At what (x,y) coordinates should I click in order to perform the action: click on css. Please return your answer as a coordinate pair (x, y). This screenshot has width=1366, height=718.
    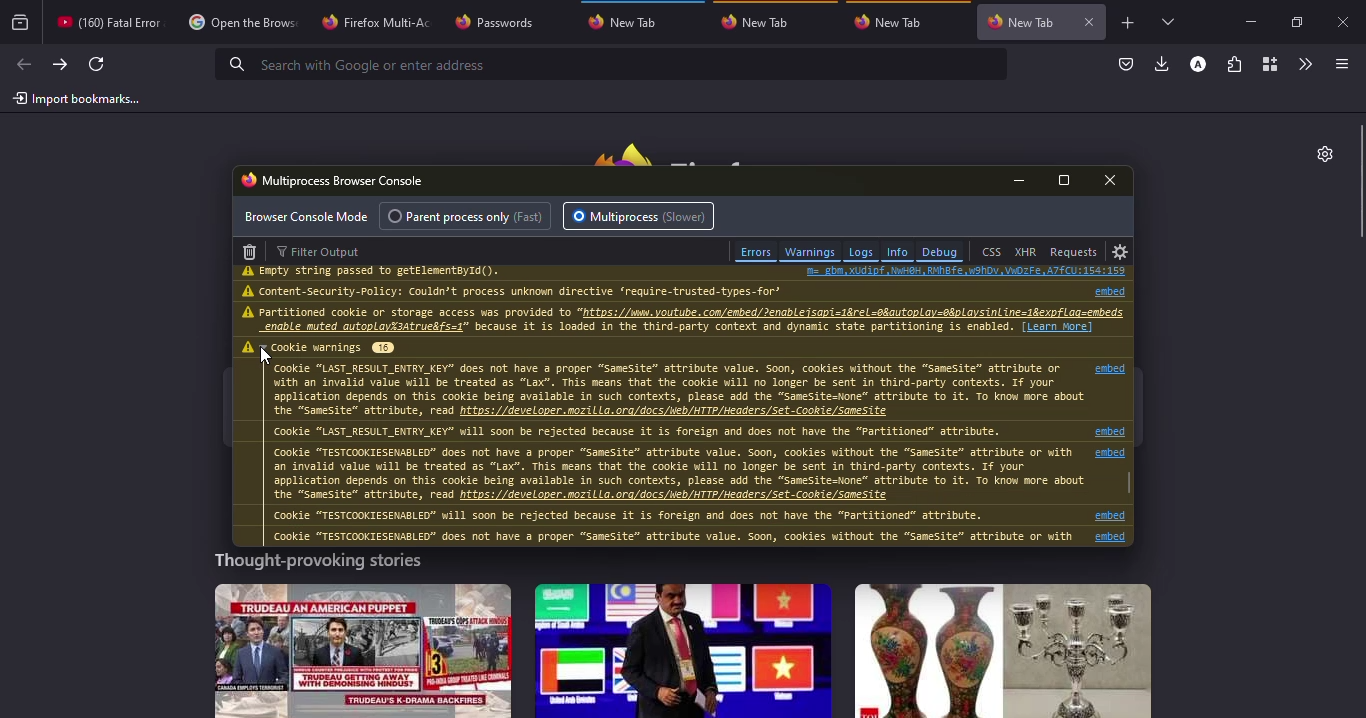
    Looking at the image, I should click on (991, 252).